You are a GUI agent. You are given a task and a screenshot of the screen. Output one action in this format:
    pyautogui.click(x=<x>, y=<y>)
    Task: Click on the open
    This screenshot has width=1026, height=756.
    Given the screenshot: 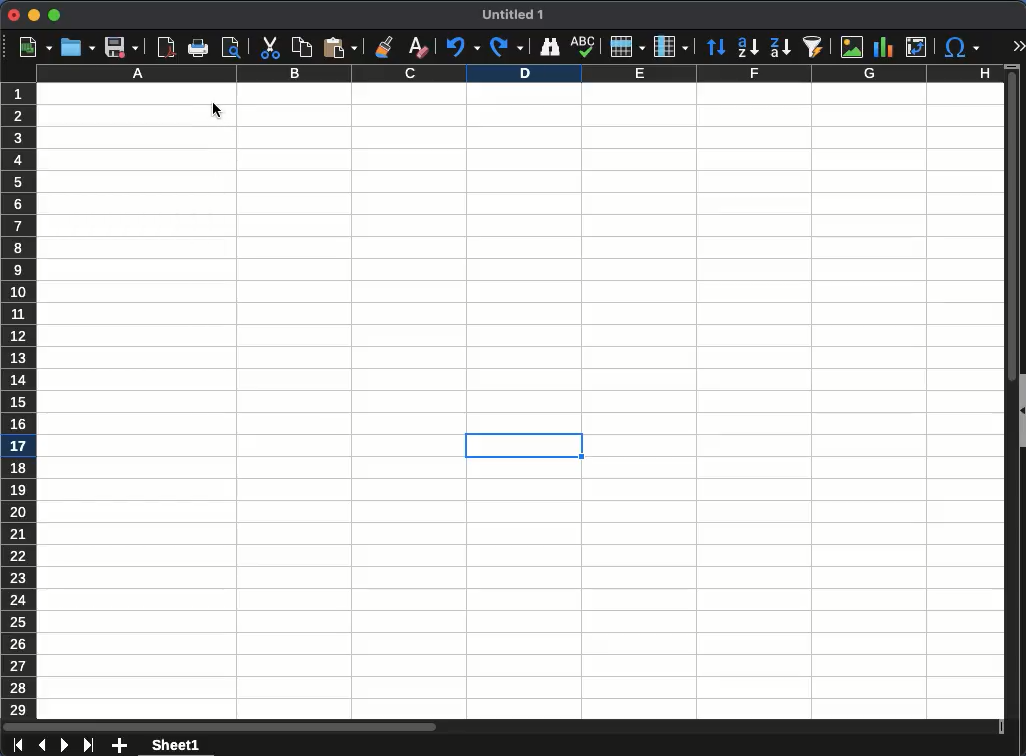 What is the action you would take?
    pyautogui.click(x=78, y=48)
    